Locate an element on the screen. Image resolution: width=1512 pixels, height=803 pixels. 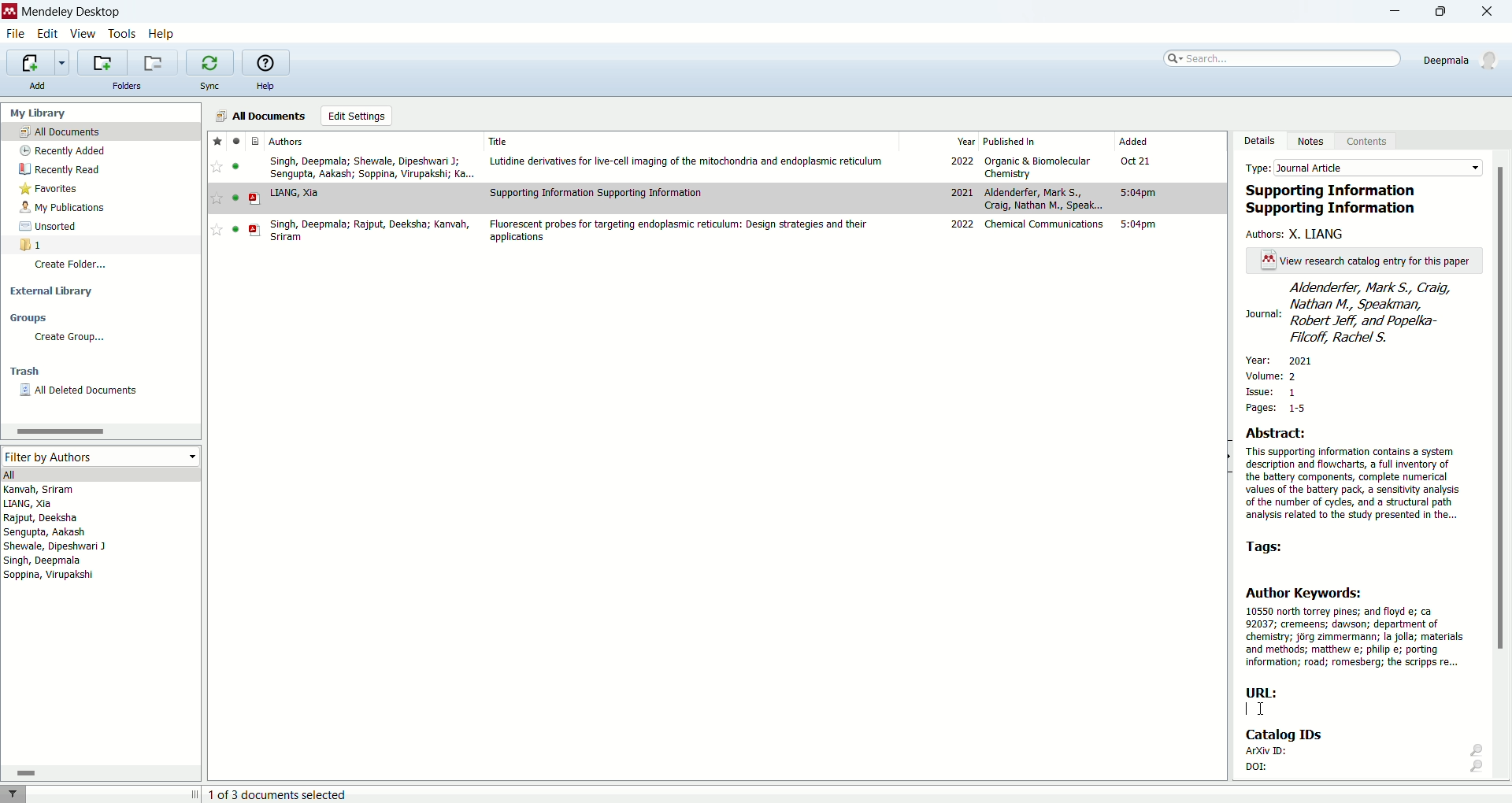
sync is located at coordinates (213, 86).